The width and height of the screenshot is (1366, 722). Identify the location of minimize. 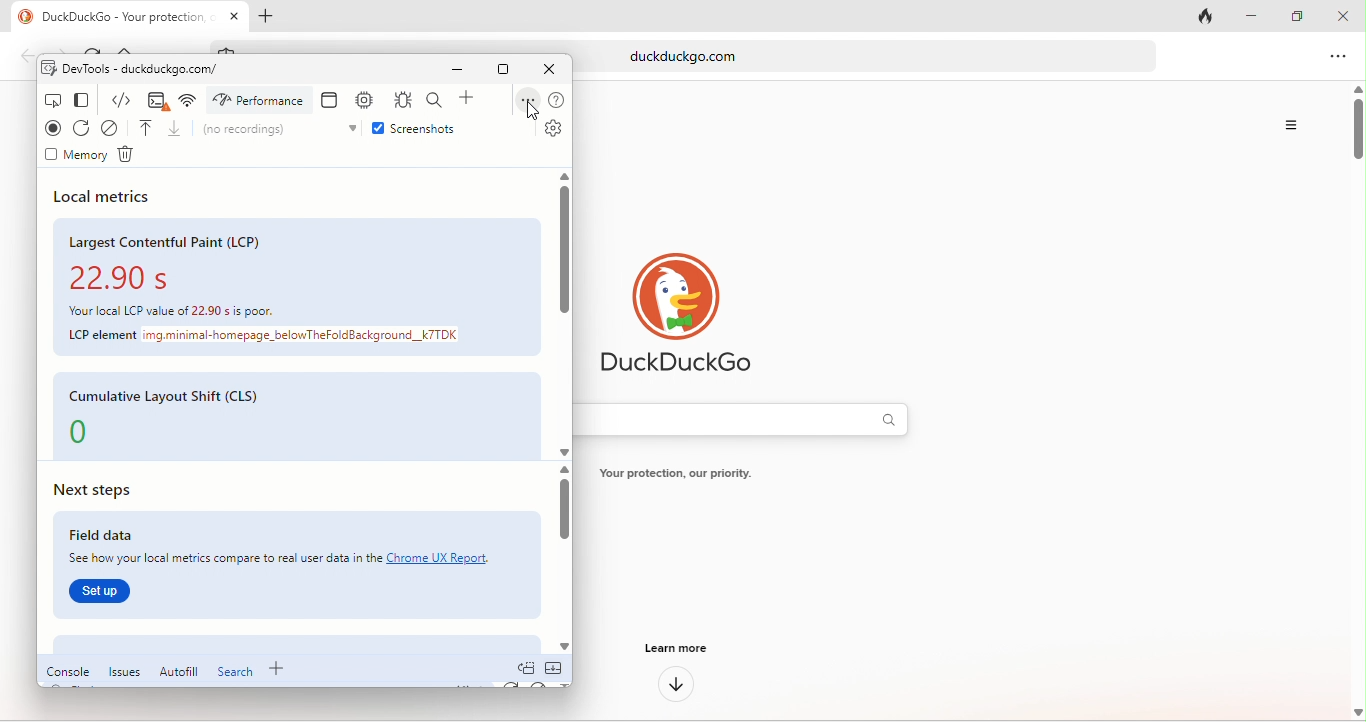
(1253, 17).